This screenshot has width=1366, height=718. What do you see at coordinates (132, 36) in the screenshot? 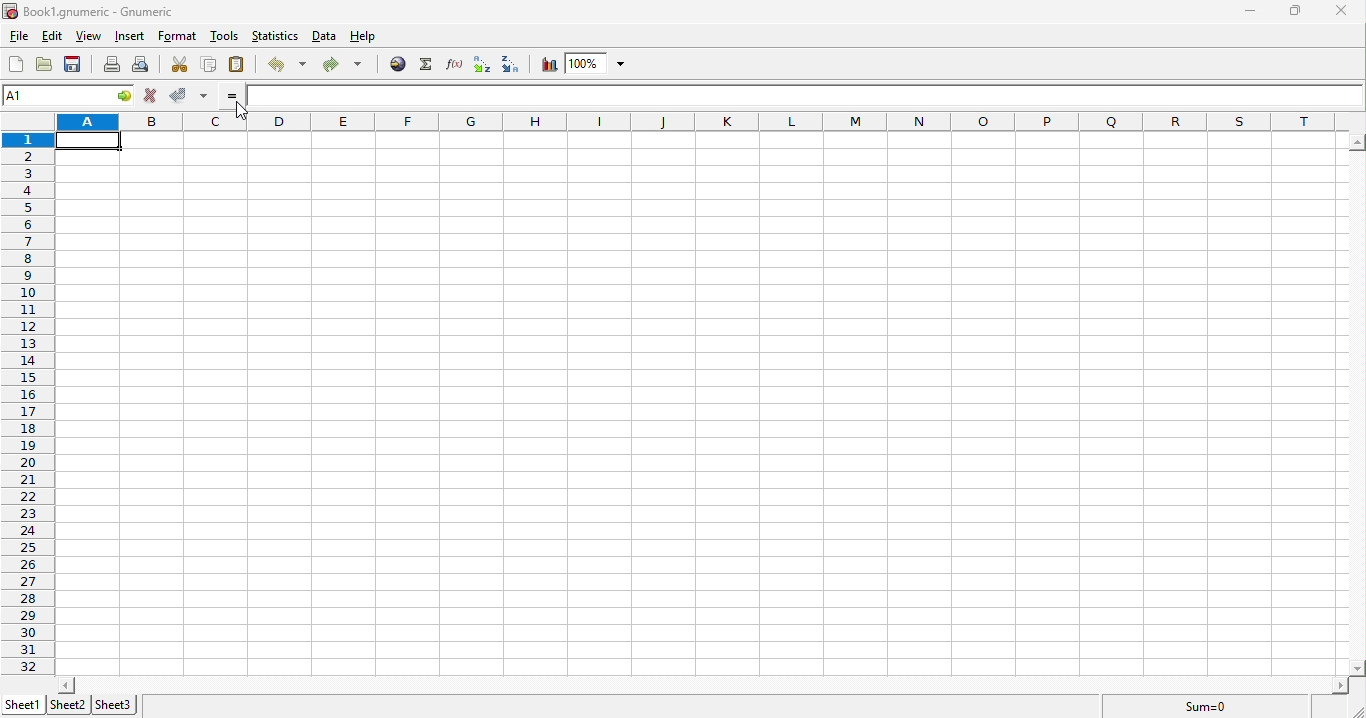
I see `insert` at bounding box center [132, 36].